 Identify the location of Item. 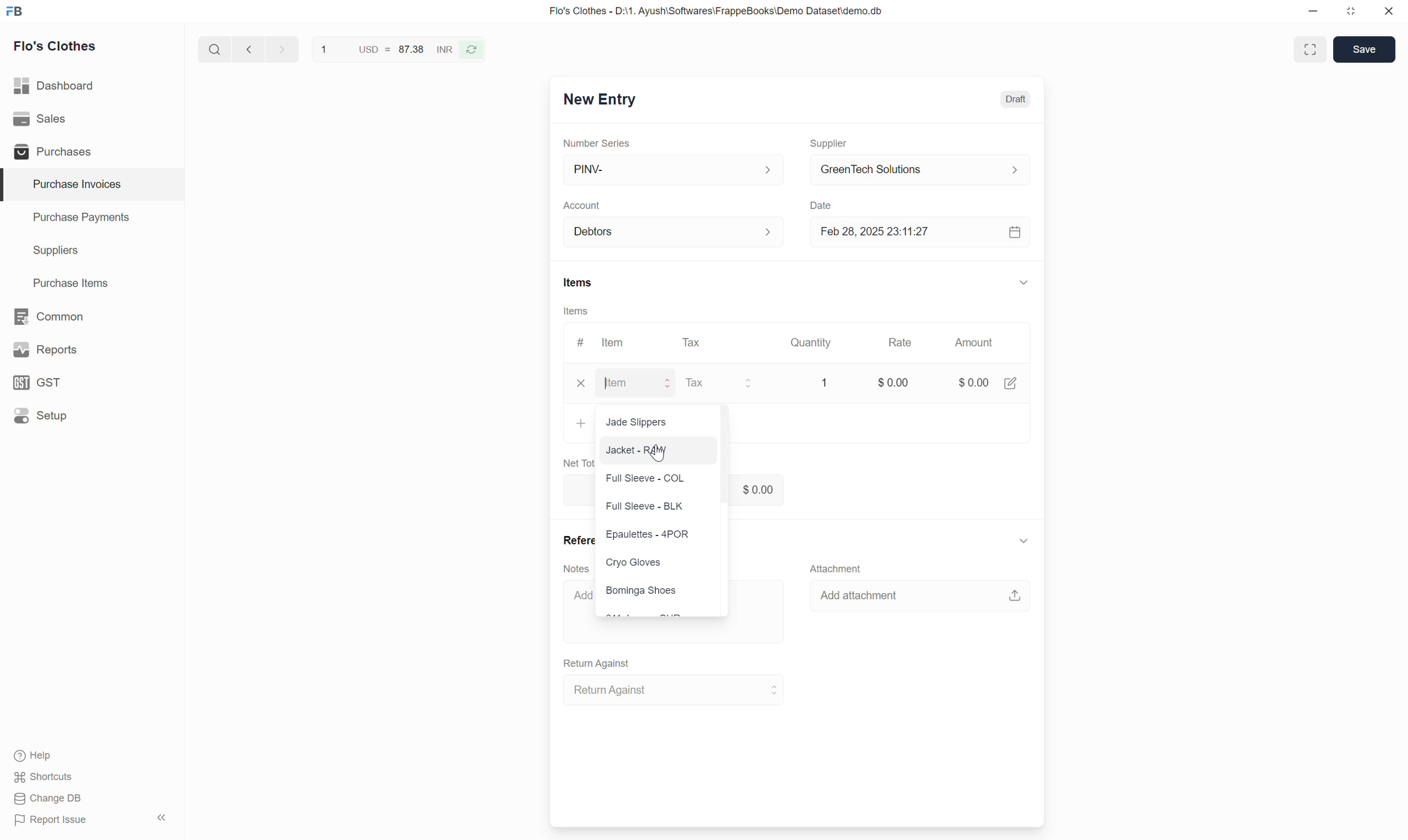
(636, 383).